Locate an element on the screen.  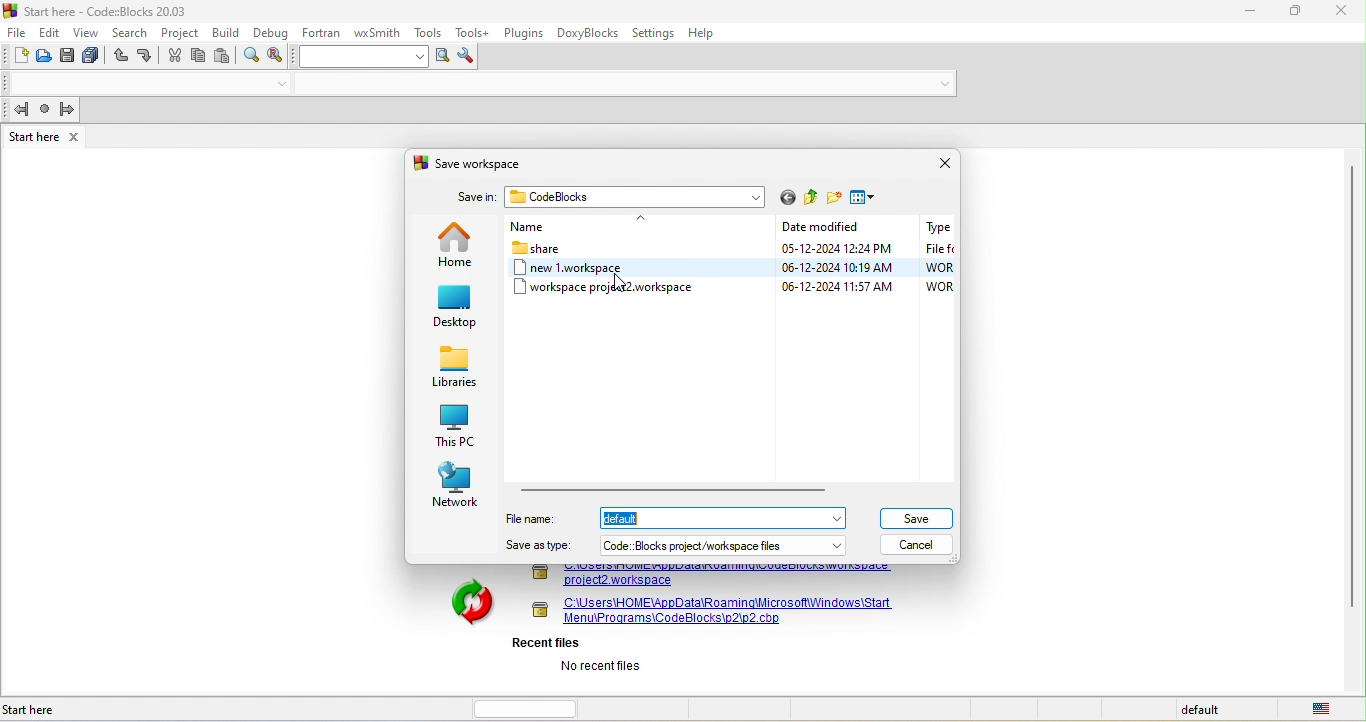
save everything is located at coordinates (94, 58).